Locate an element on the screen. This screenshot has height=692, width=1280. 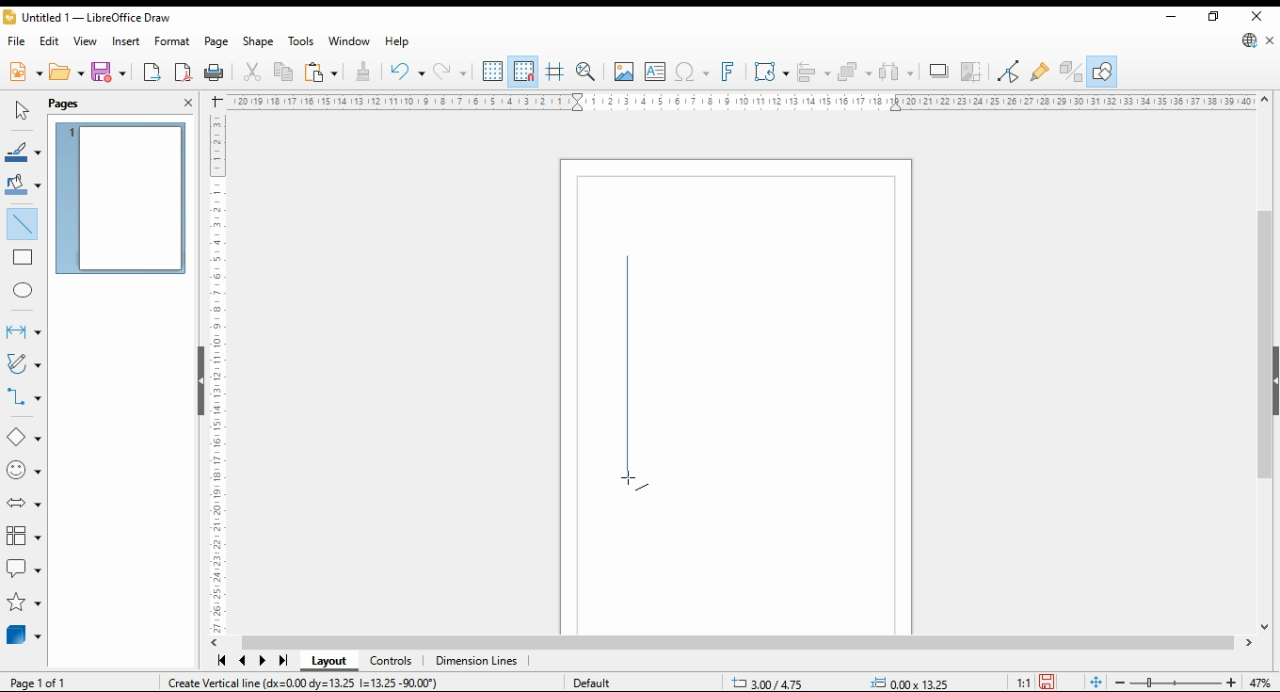
first page is located at coordinates (221, 662).